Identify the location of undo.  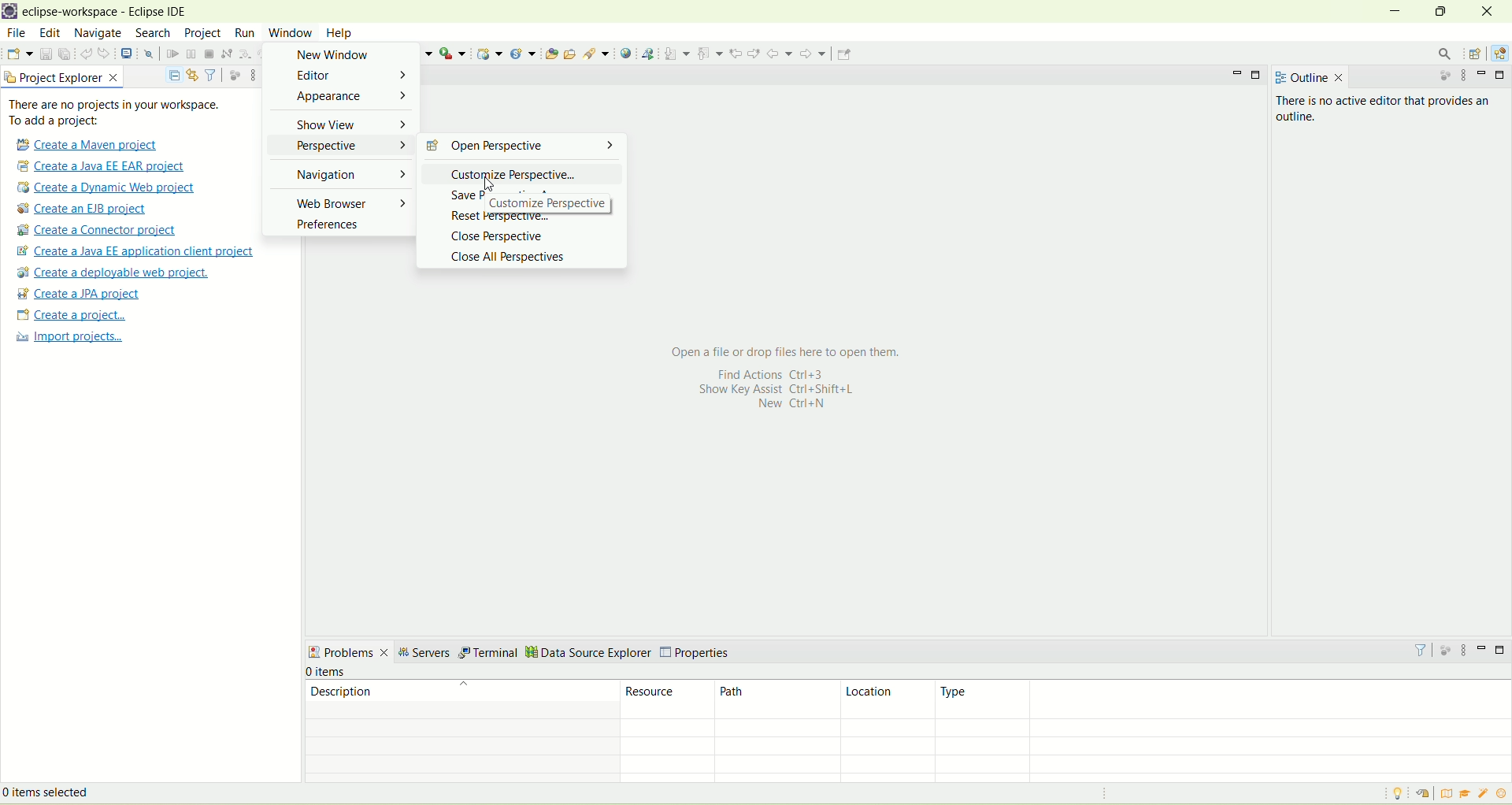
(86, 56).